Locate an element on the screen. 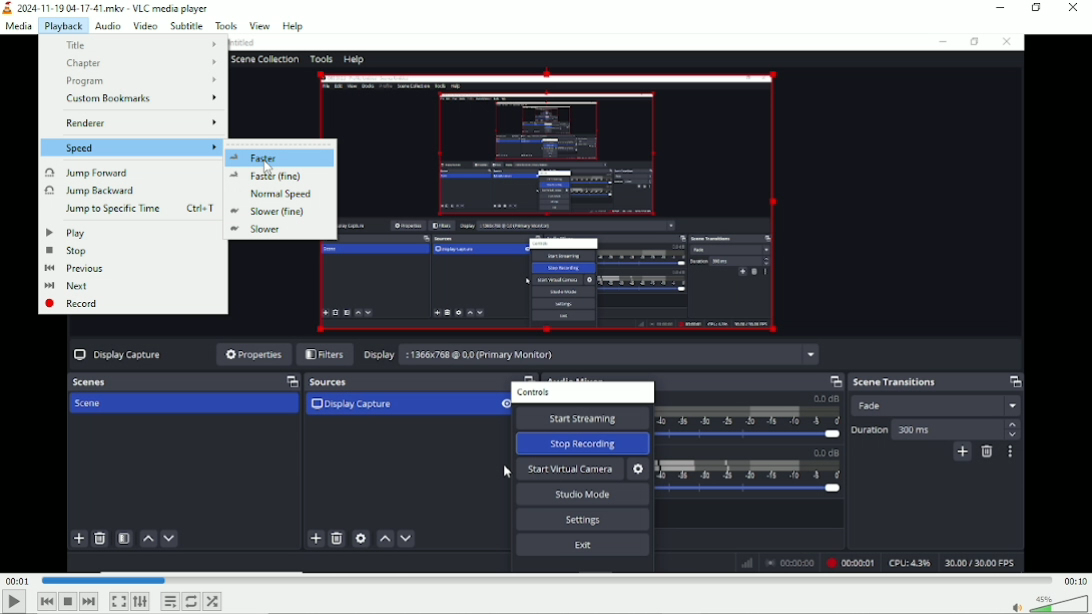 The height and width of the screenshot is (614, 1092). next is located at coordinates (128, 287).